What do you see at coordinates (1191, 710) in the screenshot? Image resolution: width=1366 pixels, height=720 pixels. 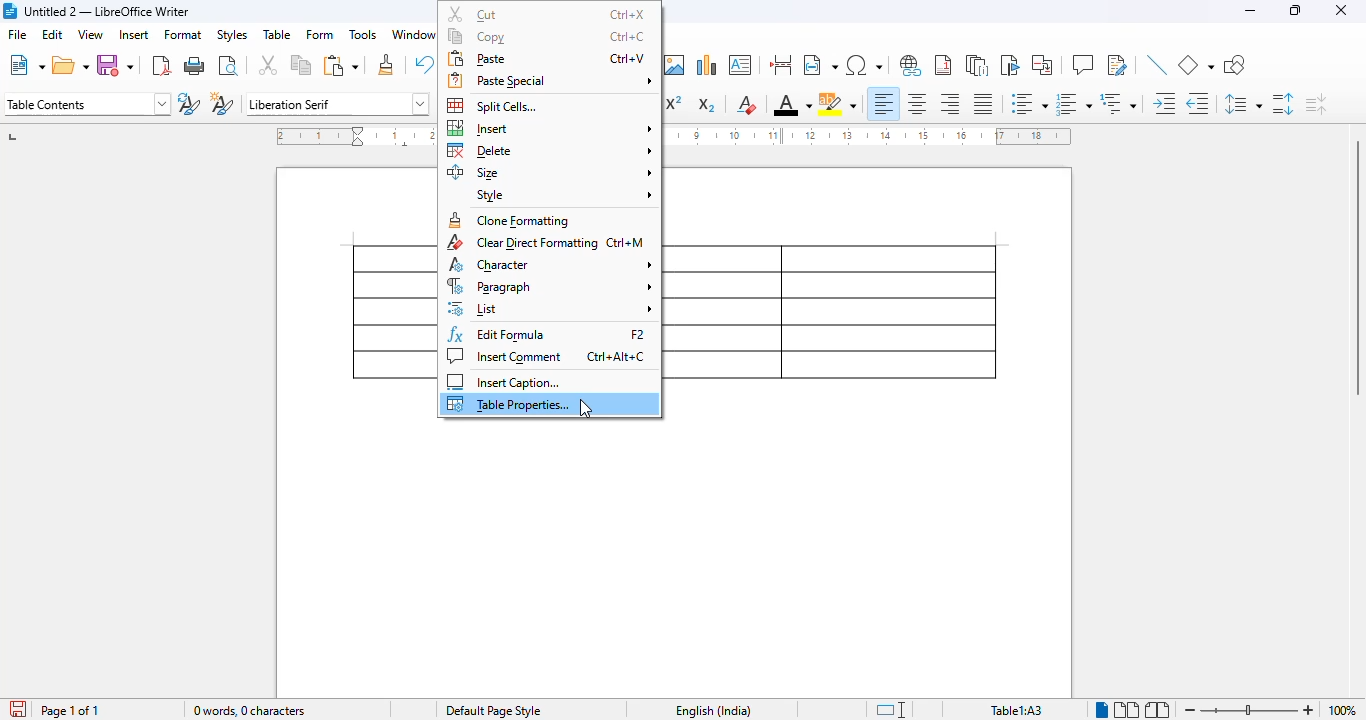 I see `zoom out` at bounding box center [1191, 710].